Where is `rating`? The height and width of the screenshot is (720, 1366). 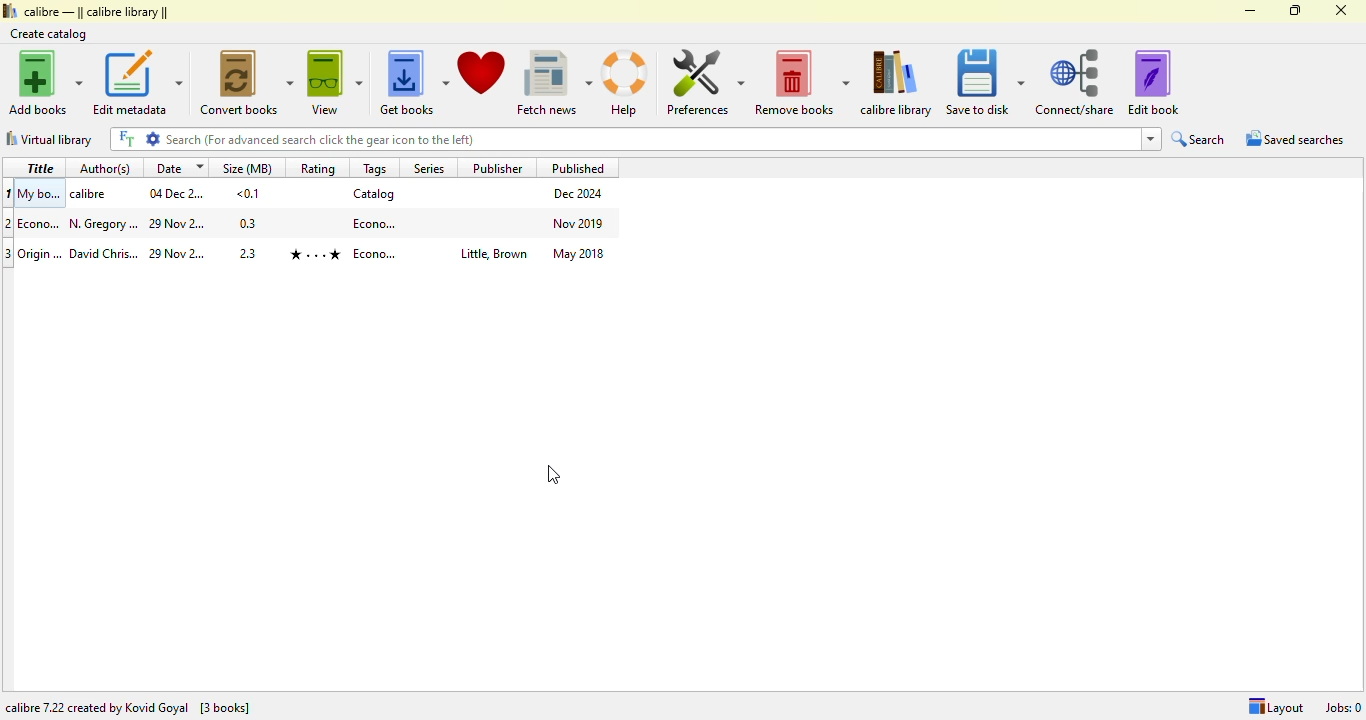 rating is located at coordinates (318, 168).